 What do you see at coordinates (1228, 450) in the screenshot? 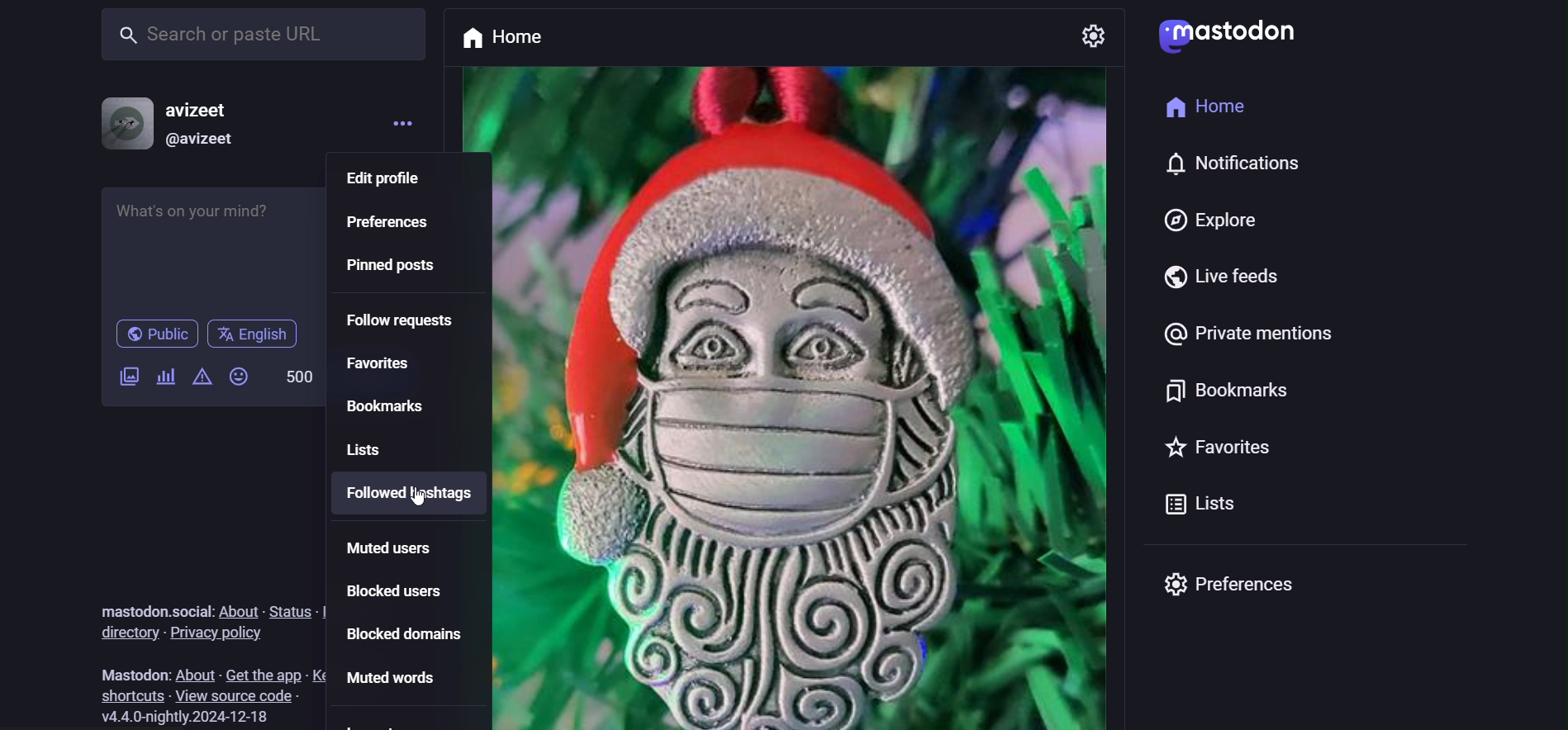
I see `favorites` at bounding box center [1228, 450].